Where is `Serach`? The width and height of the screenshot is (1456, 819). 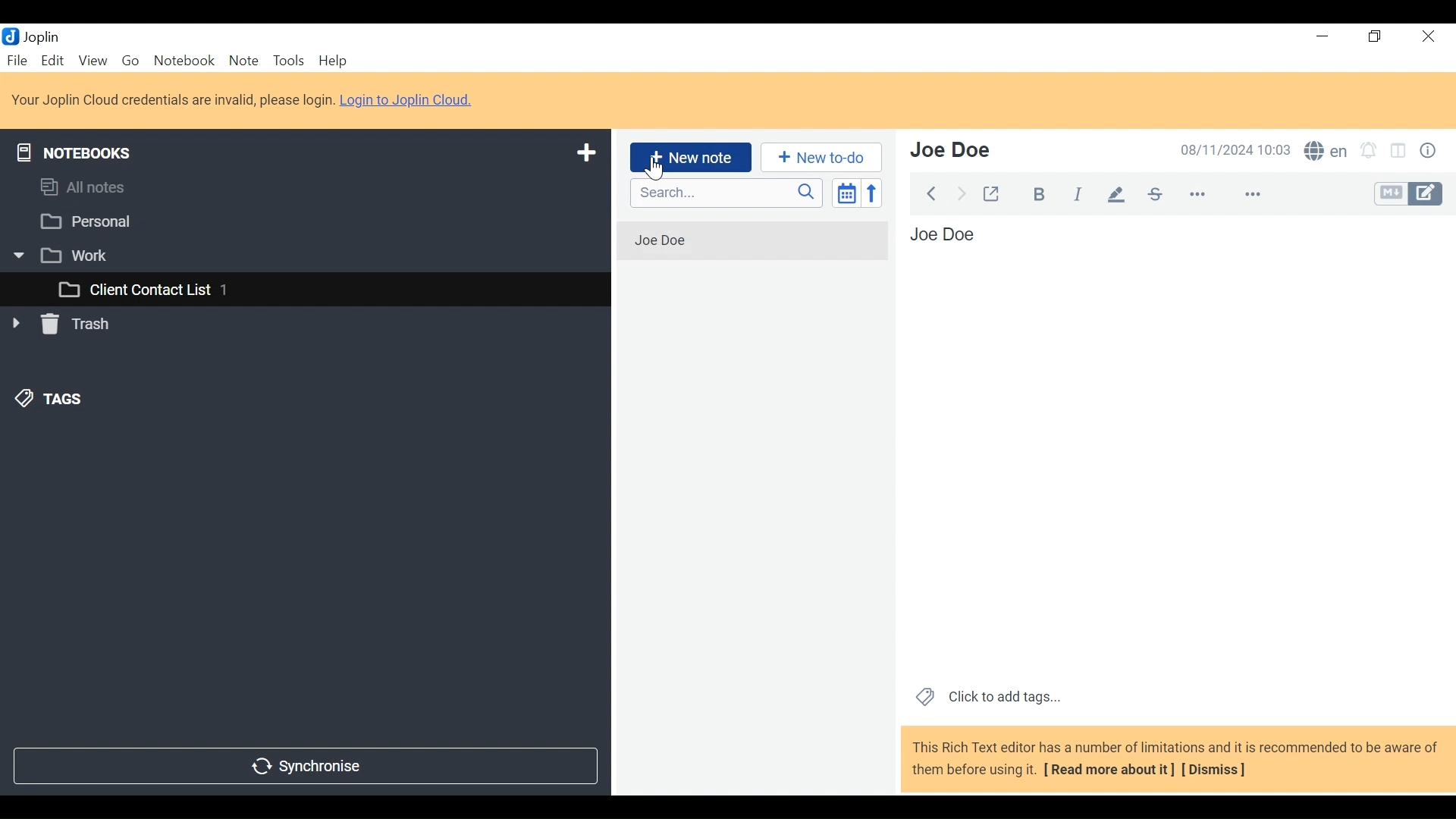 Serach is located at coordinates (726, 193).